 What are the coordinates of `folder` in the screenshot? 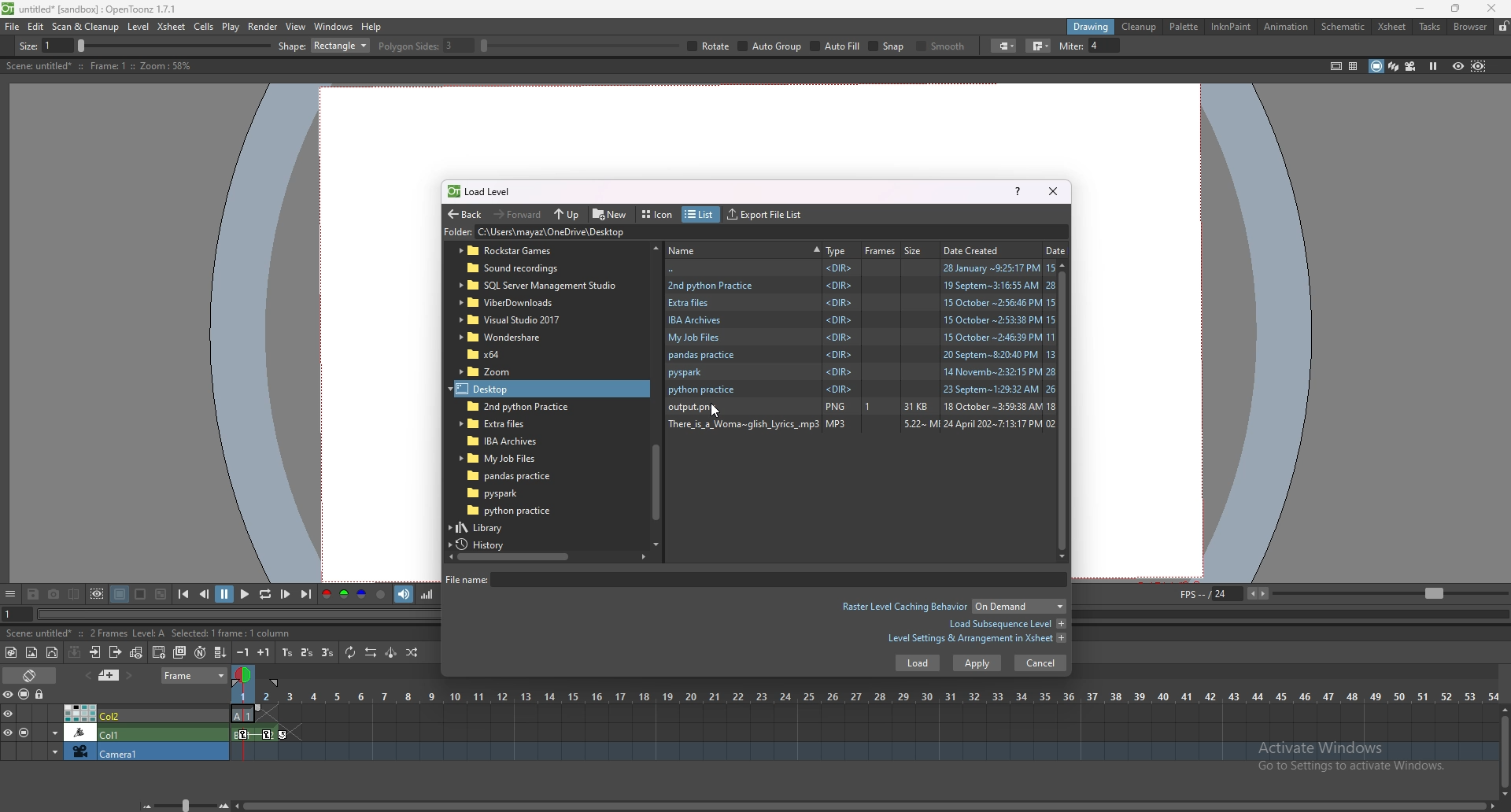 It's located at (504, 439).